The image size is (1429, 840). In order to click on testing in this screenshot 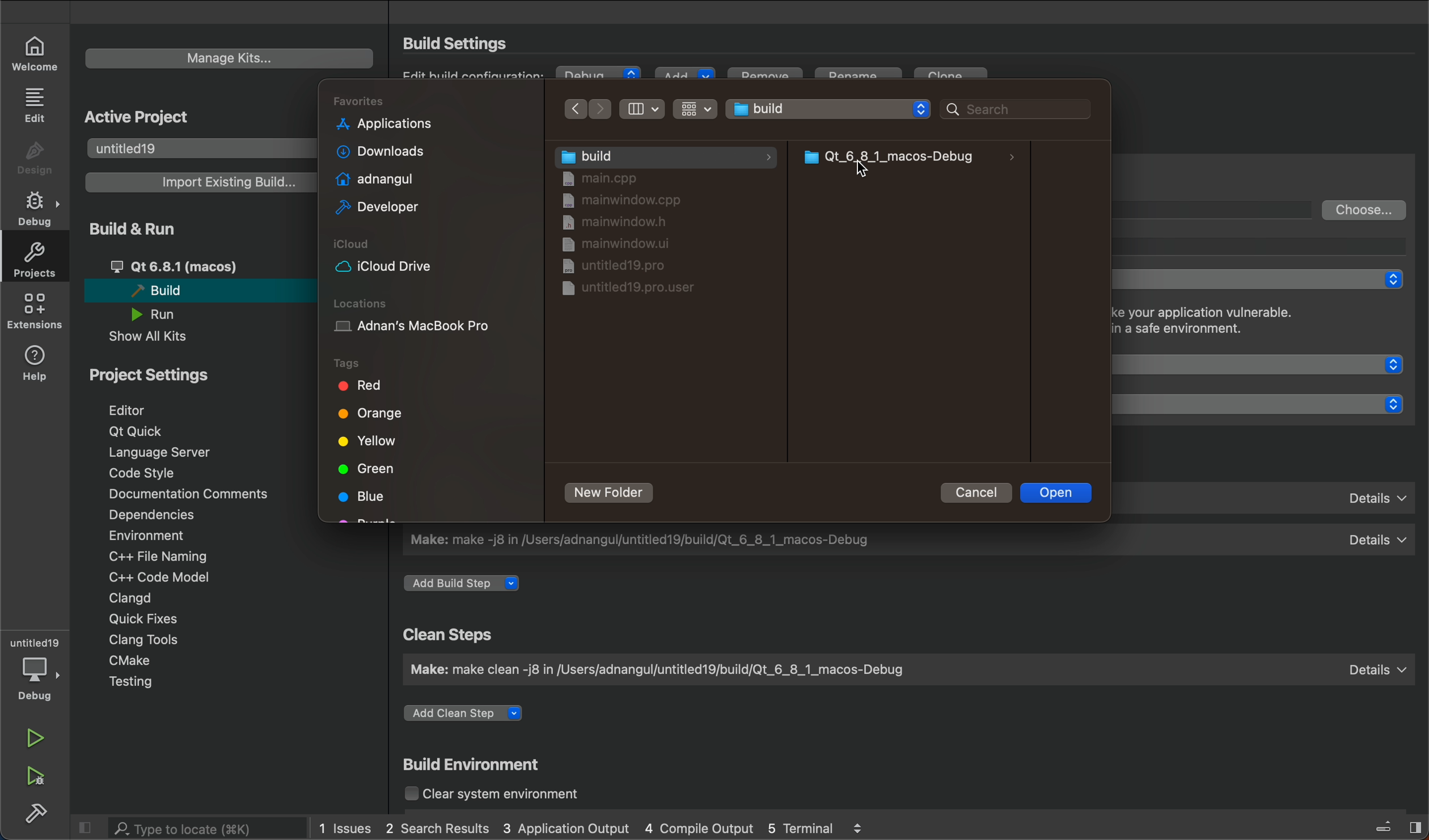, I will do `click(145, 684)`.